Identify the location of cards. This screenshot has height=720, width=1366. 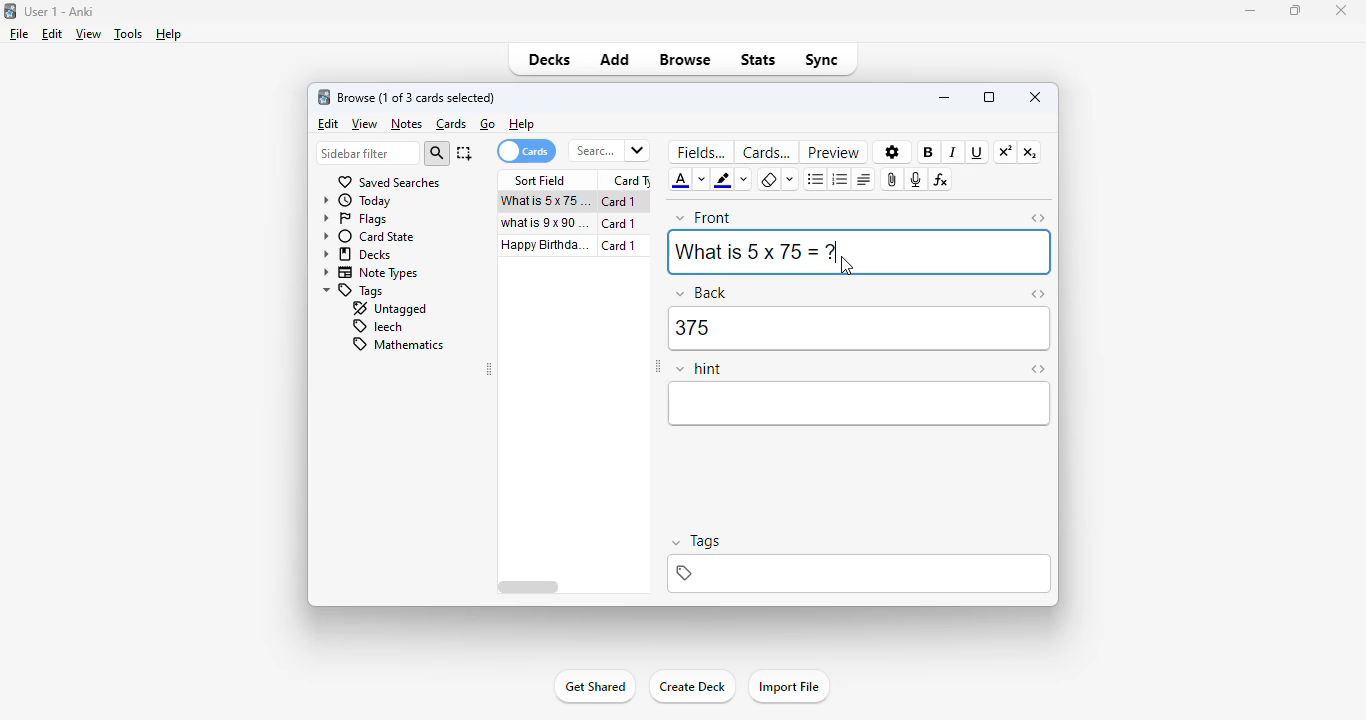
(527, 151).